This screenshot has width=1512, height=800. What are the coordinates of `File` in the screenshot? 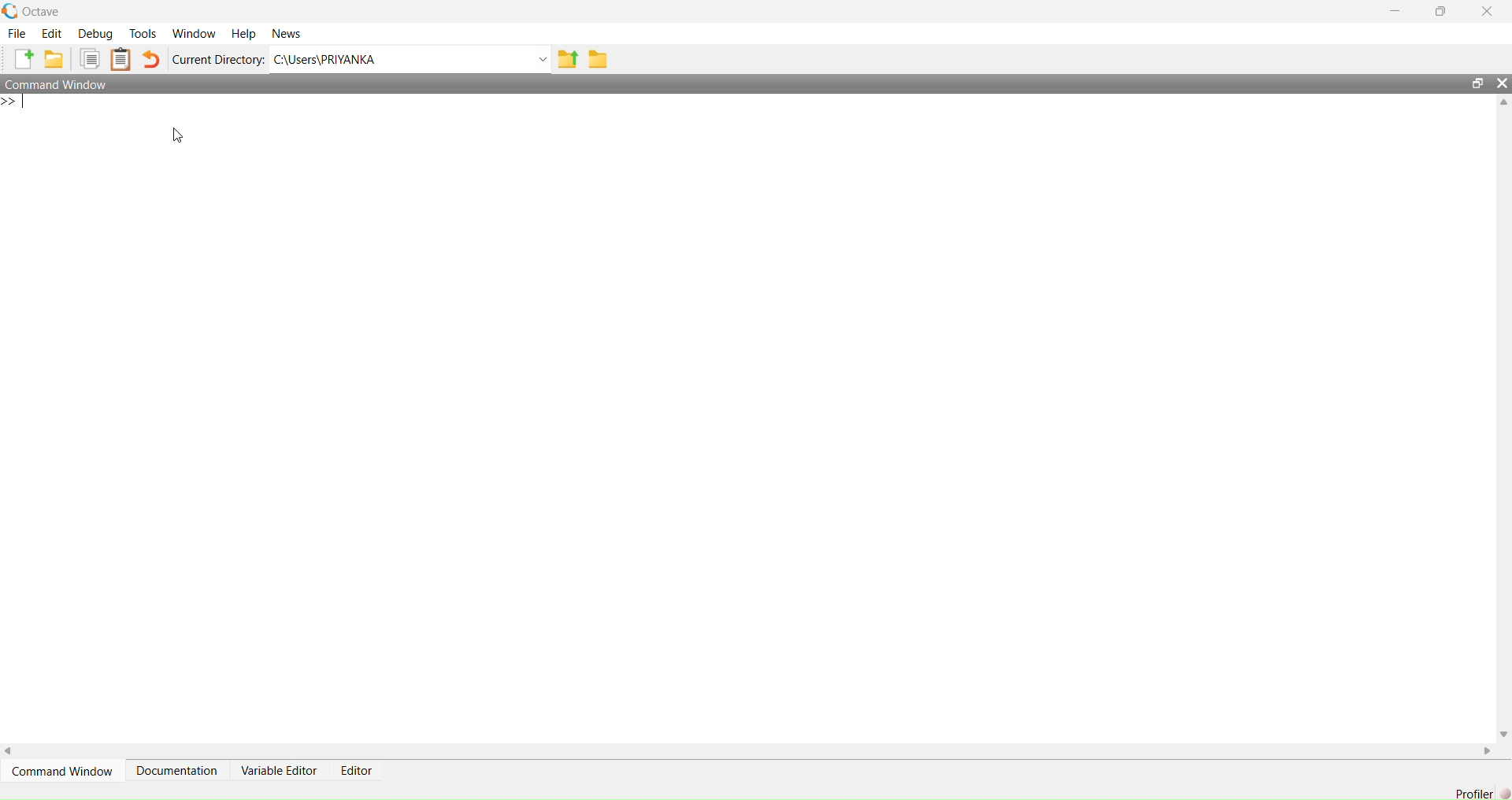 It's located at (16, 33).